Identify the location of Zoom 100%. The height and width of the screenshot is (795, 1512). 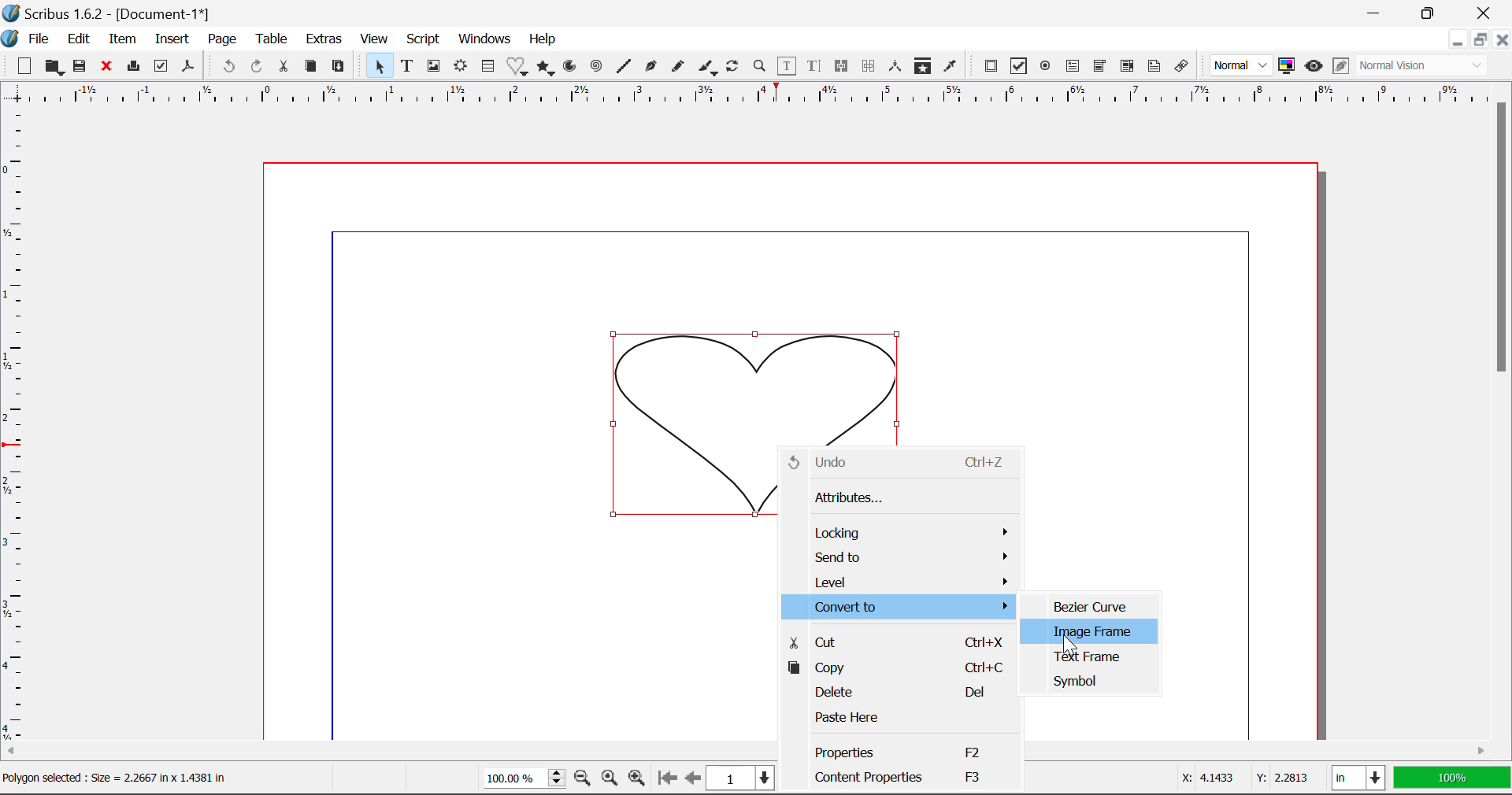
(520, 780).